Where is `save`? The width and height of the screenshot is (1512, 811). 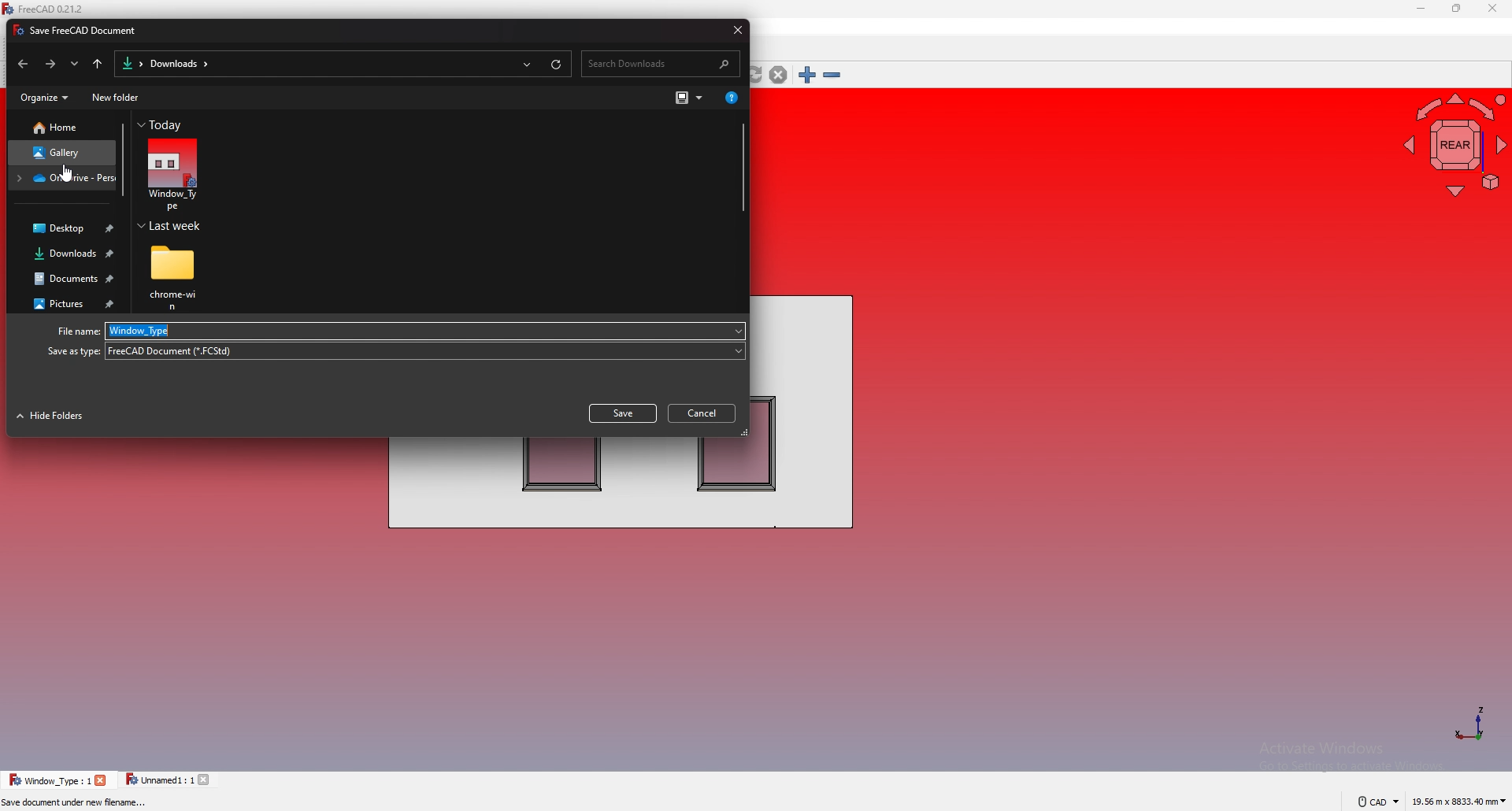 save is located at coordinates (622, 413).